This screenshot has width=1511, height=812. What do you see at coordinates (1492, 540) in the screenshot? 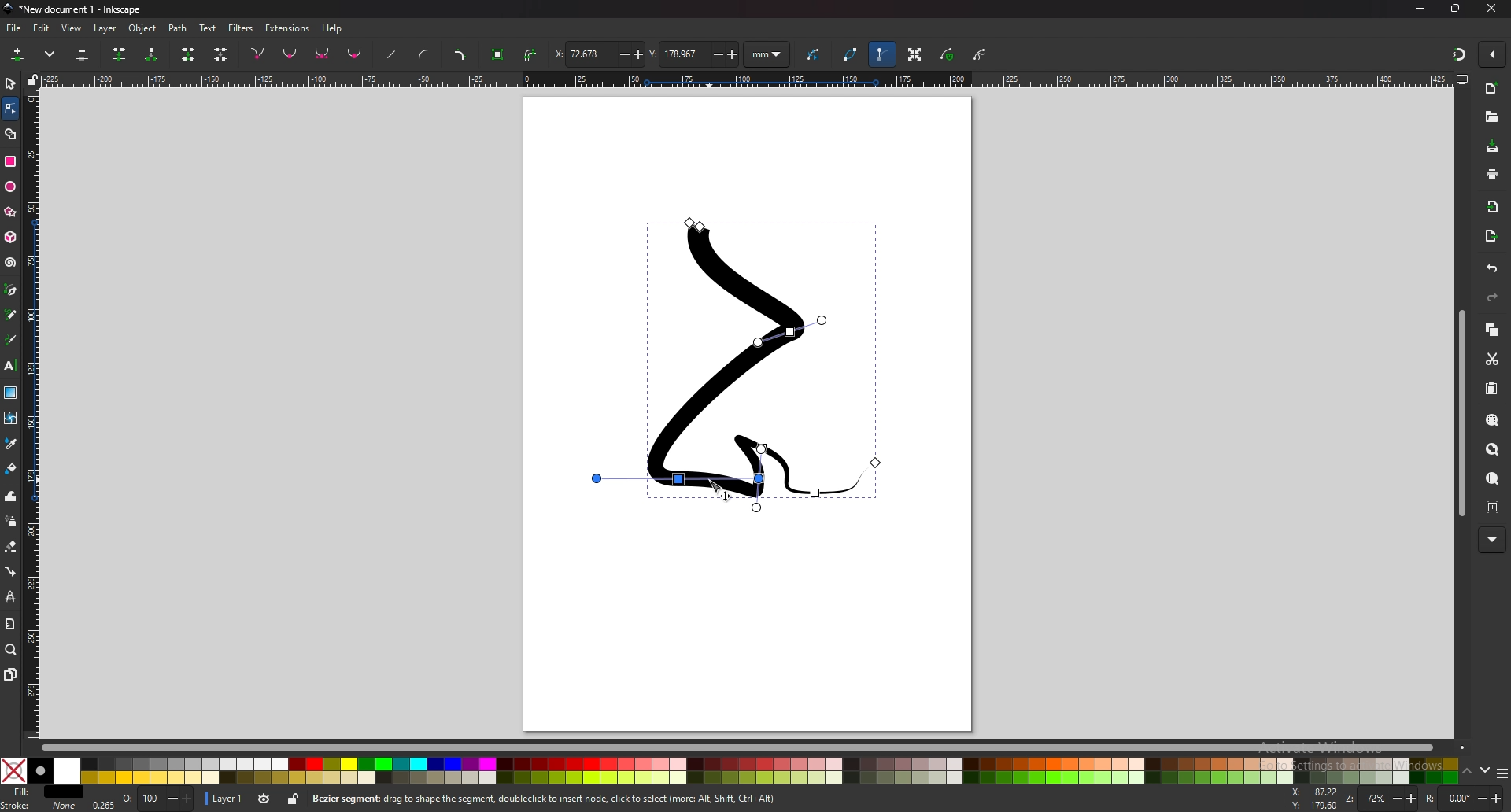
I see `more` at bounding box center [1492, 540].